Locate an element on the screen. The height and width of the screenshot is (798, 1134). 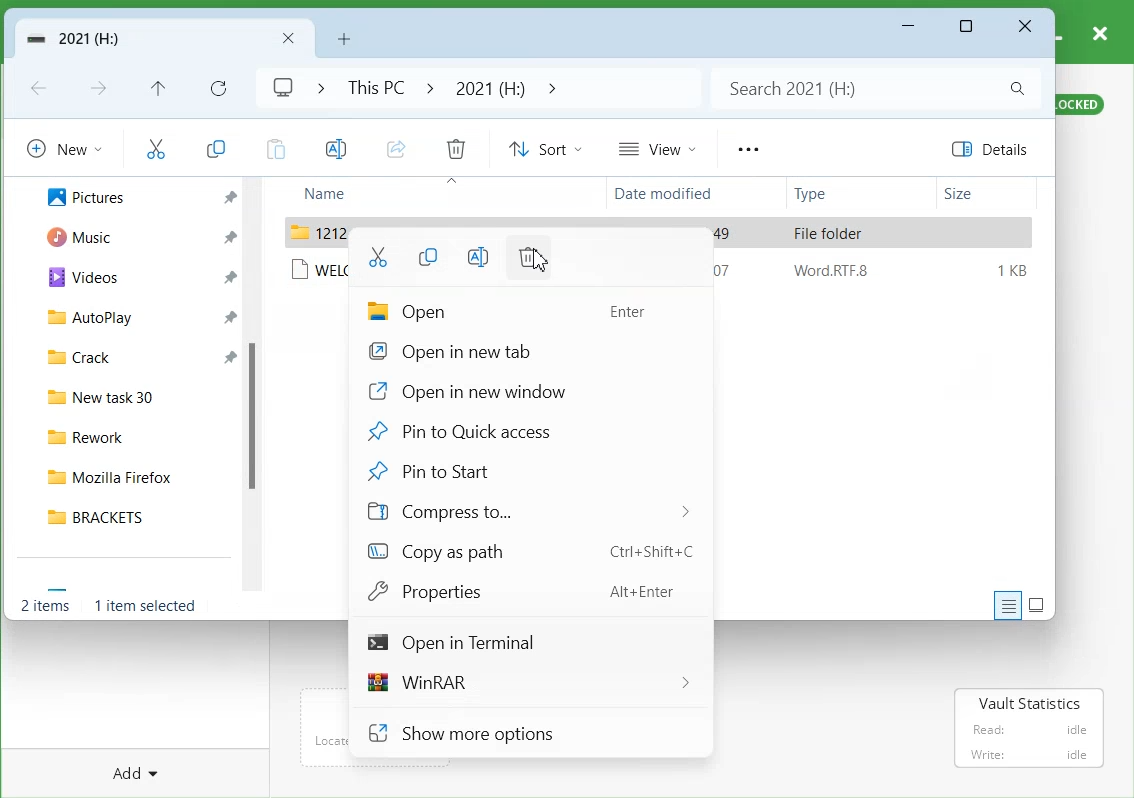
1 item selected is located at coordinates (145, 605).